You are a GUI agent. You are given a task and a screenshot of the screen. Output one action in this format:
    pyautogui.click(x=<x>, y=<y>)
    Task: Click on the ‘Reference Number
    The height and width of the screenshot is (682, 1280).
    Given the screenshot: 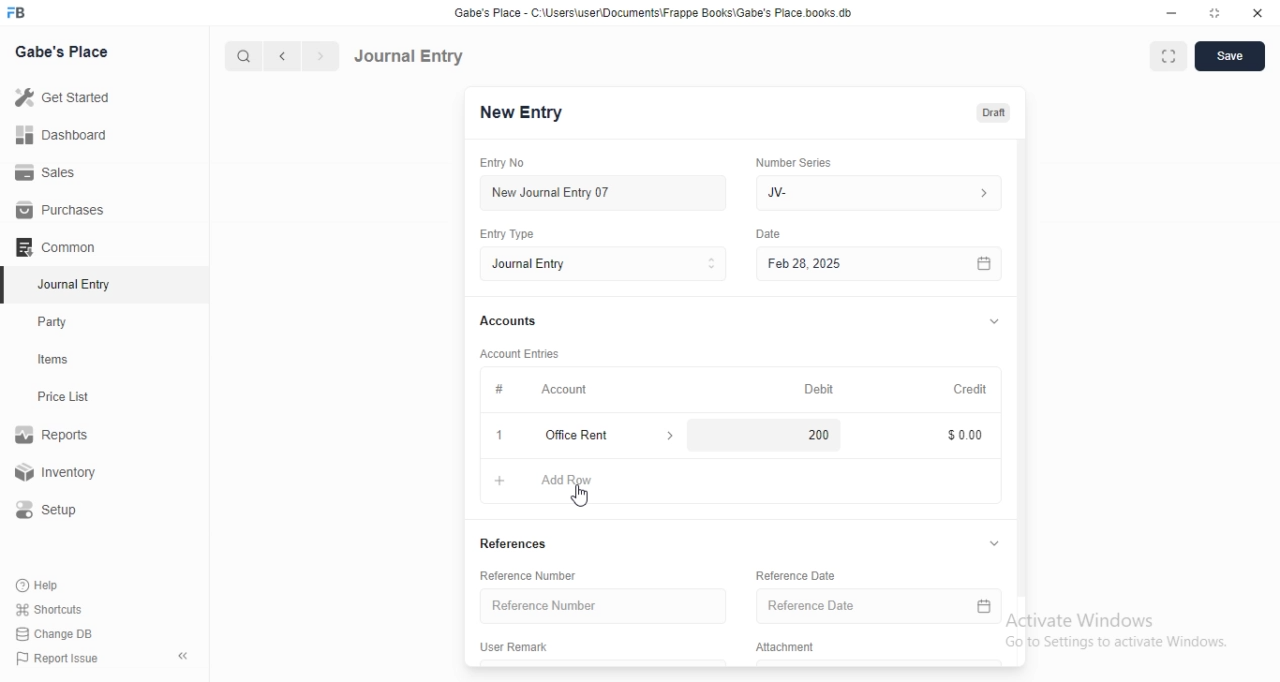 What is the action you would take?
    pyautogui.click(x=529, y=575)
    